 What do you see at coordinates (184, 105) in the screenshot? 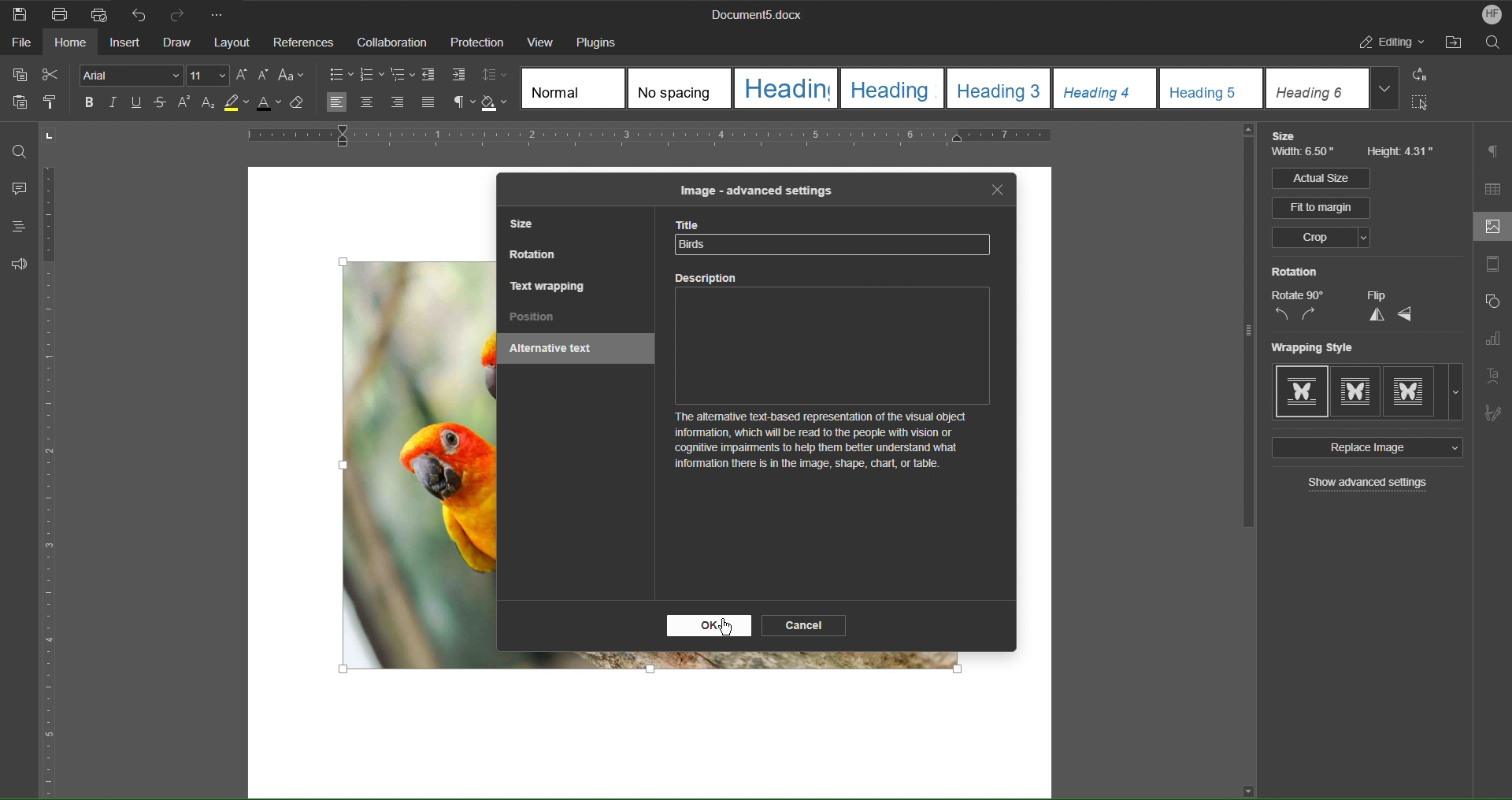
I see `Superscript` at bounding box center [184, 105].